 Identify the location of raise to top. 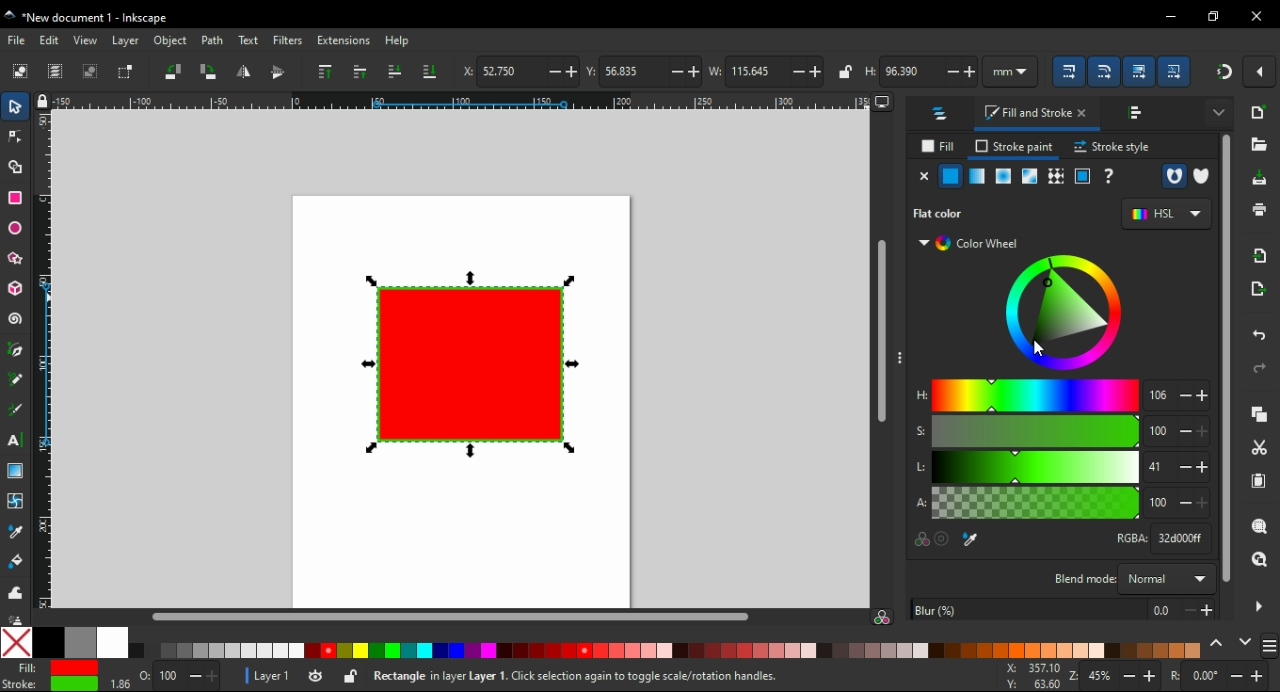
(323, 72).